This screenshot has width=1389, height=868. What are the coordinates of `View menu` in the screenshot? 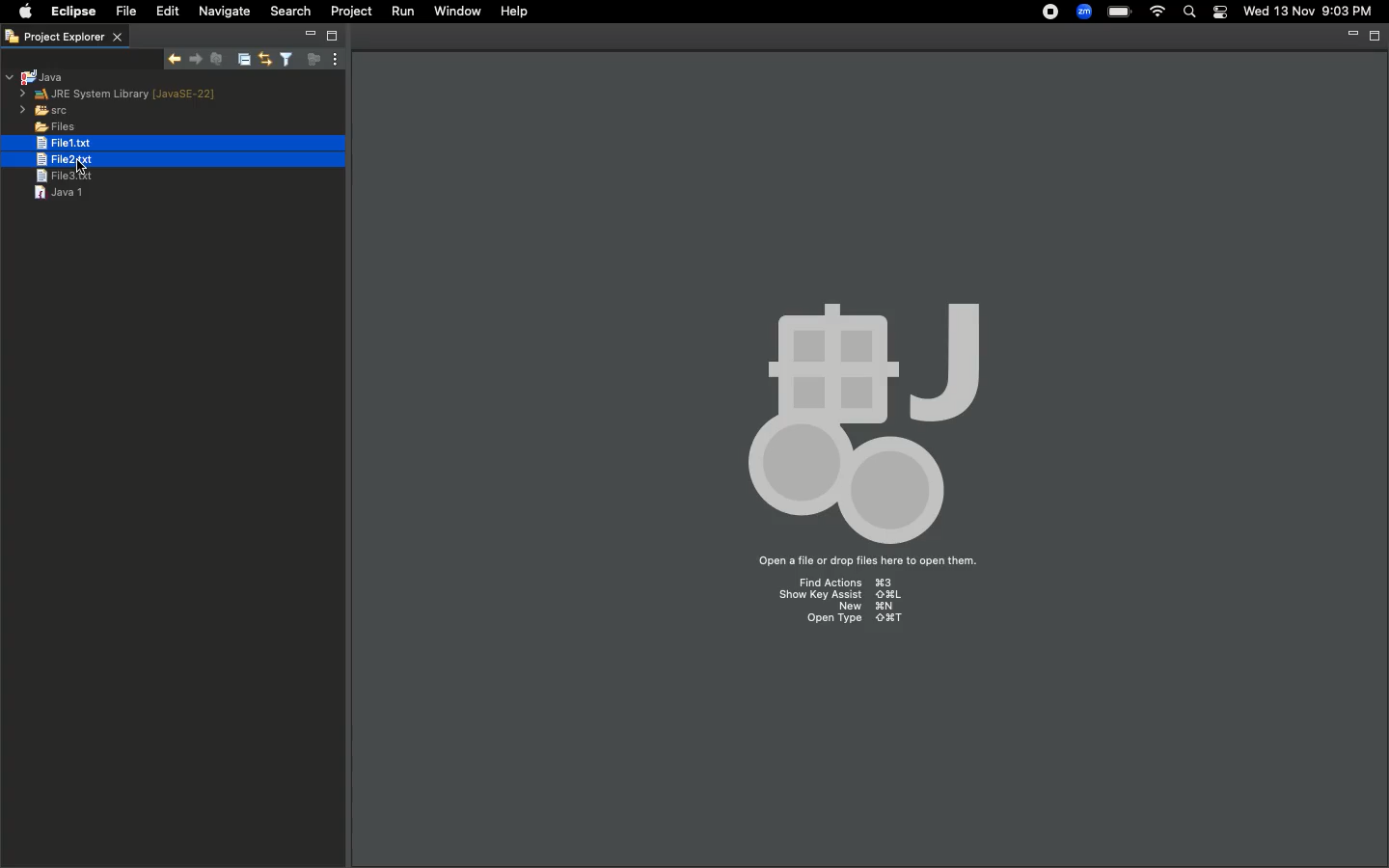 It's located at (333, 60).